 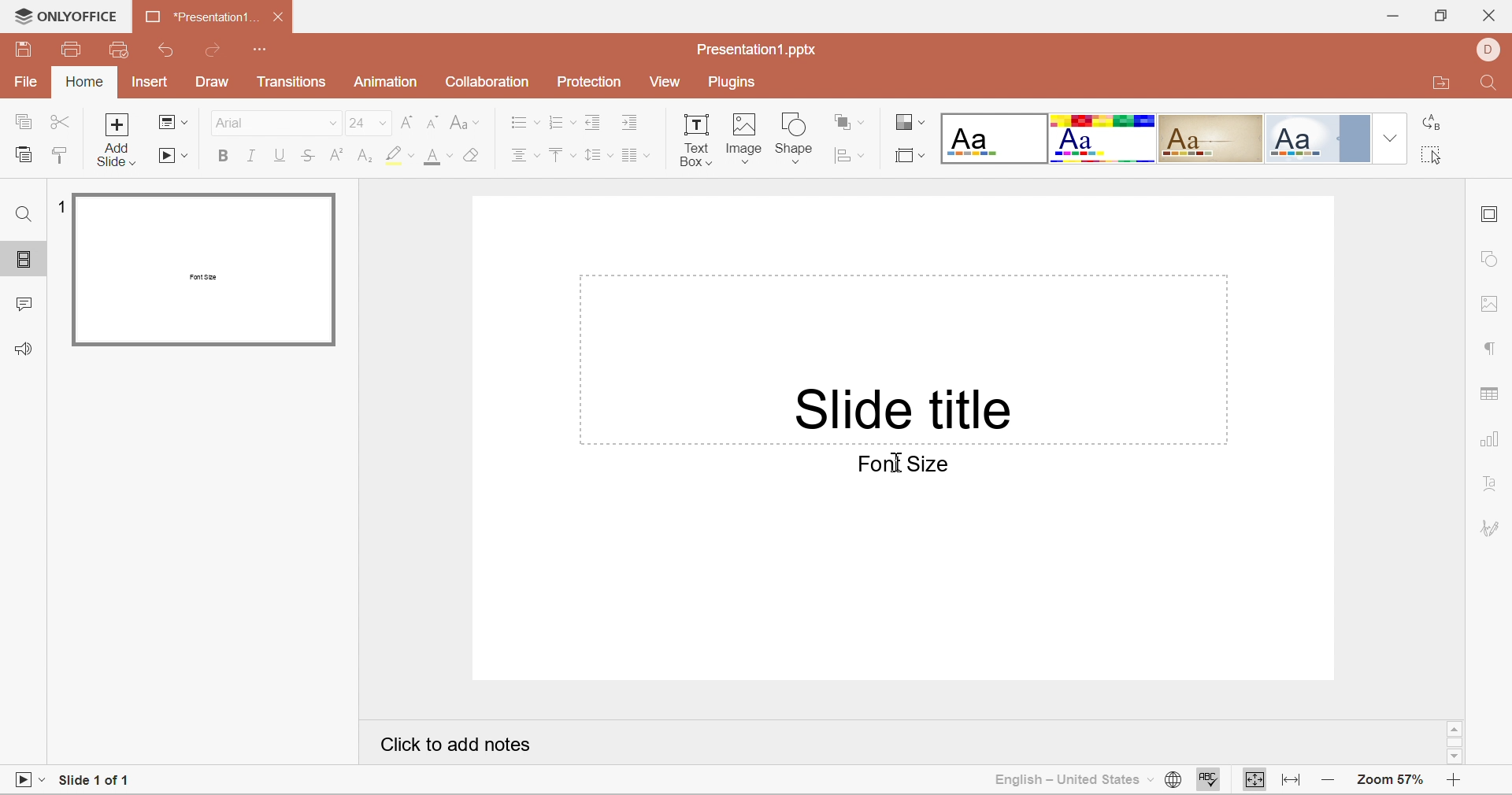 I want to click on table settings, so click(x=1493, y=397).